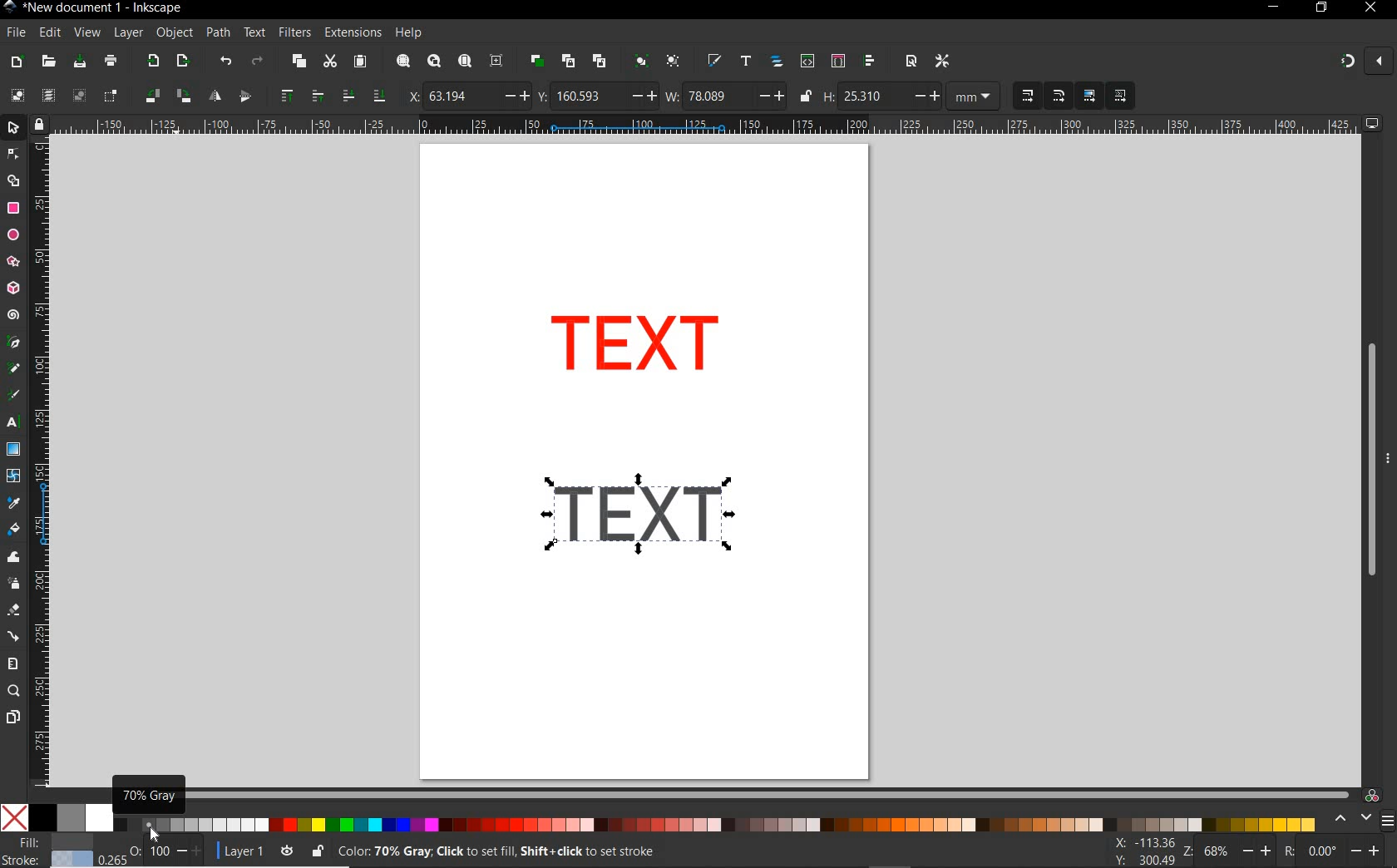 This screenshot has width=1397, height=868. Describe the element at coordinates (1356, 62) in the screenshot. I see `ENABLE SNAPPING TOOL` at that location.